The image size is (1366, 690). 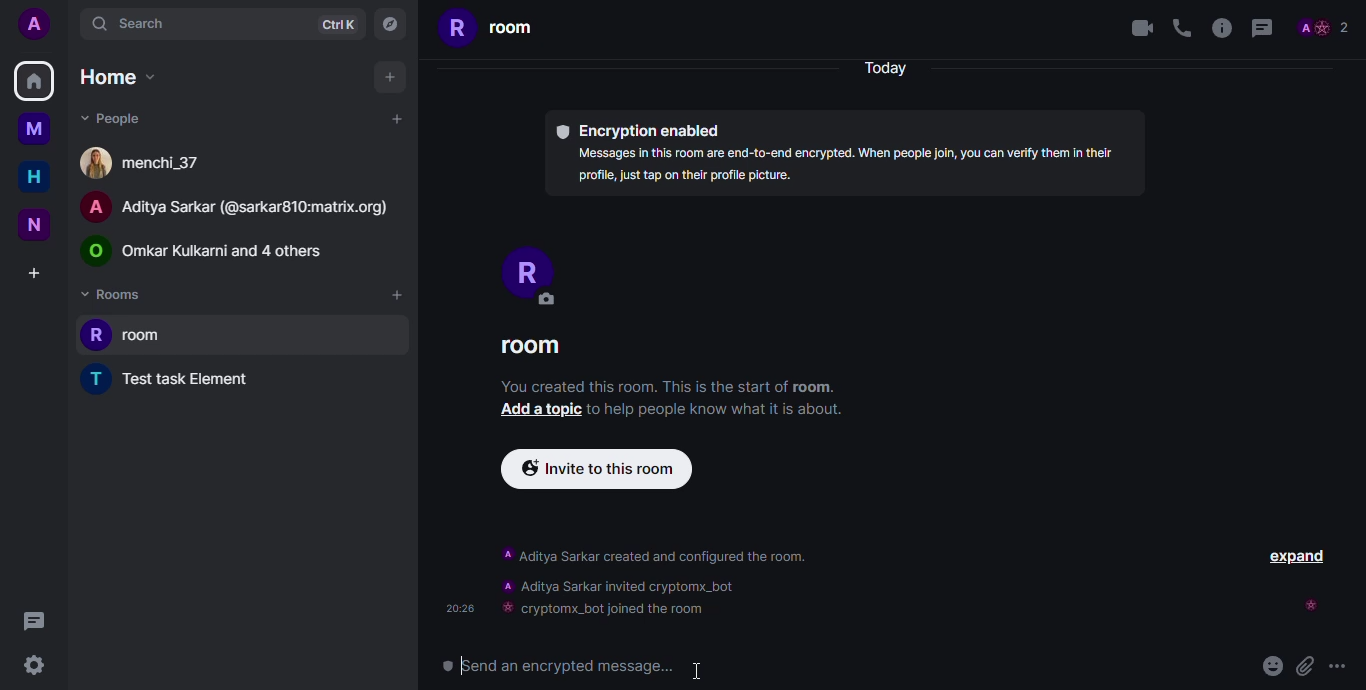 What do you see at coordinates (1311, 605) in the screenshot?
I see `seen` at bounding box center [1311, 605].